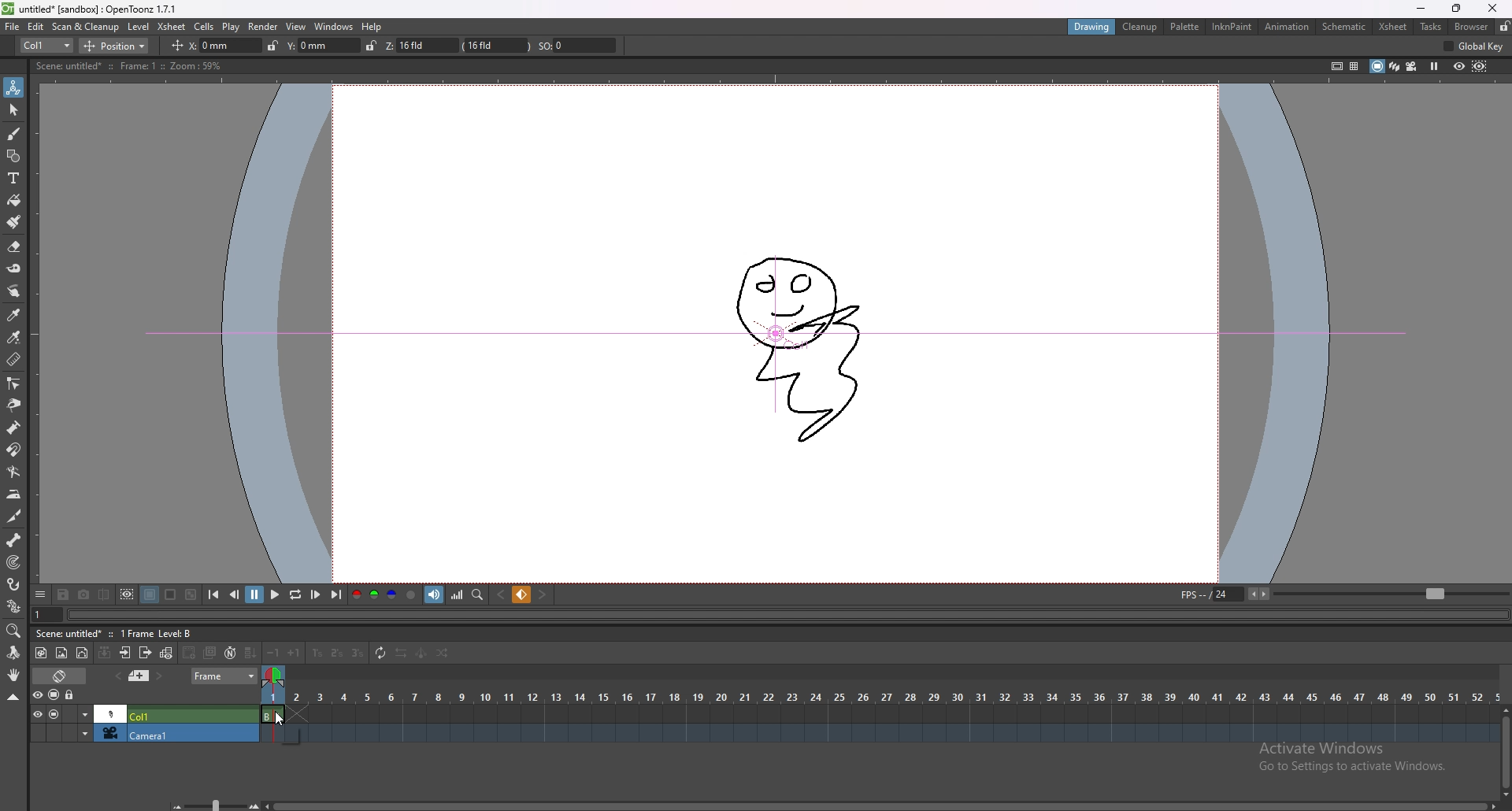 The image size is (1512, 811). I want to click on freeze, so click(1435, 67).